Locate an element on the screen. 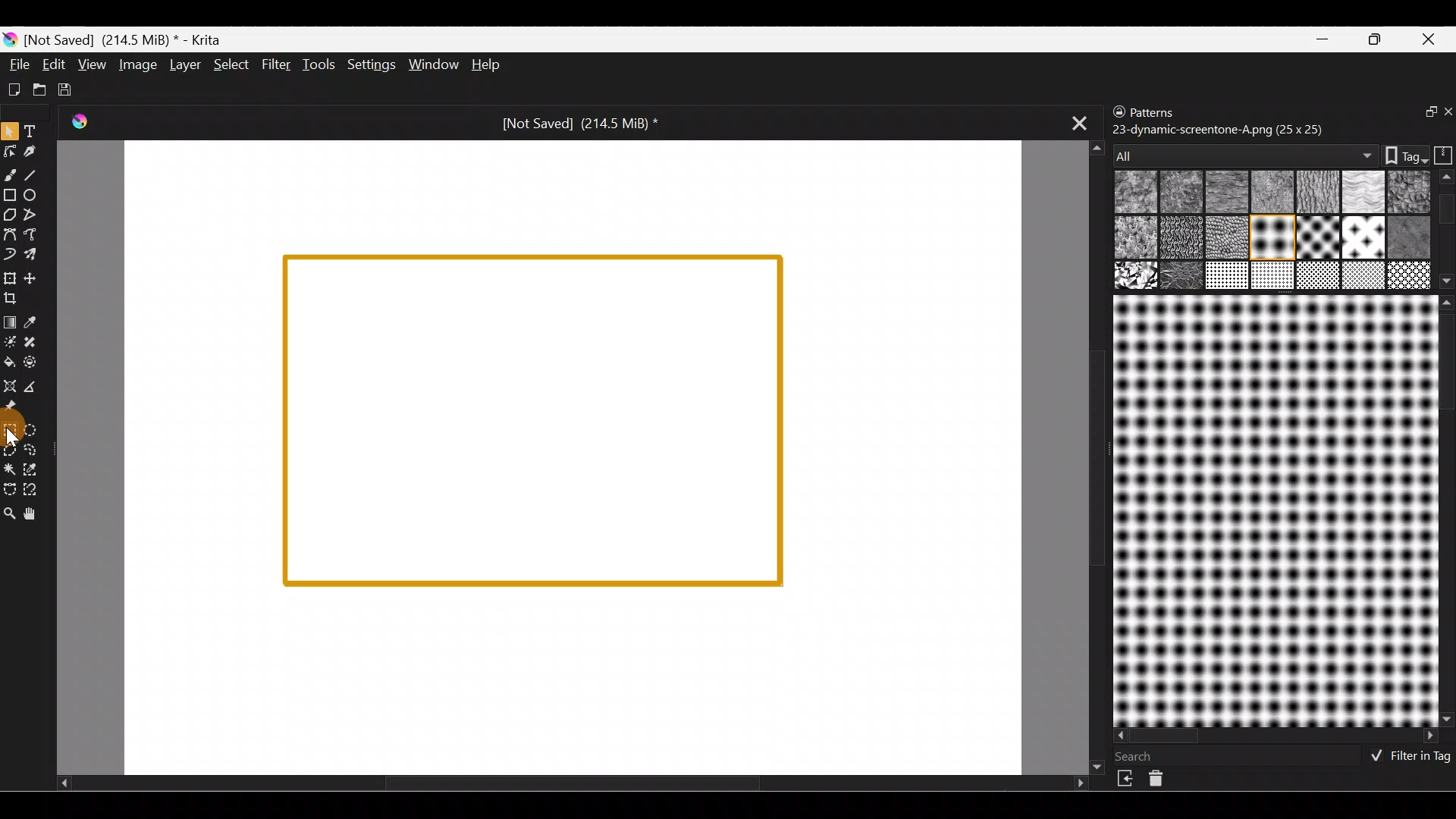 The width and height of the screenshot is (1456, 819). Pan tool is located at coordinates (37, 514).